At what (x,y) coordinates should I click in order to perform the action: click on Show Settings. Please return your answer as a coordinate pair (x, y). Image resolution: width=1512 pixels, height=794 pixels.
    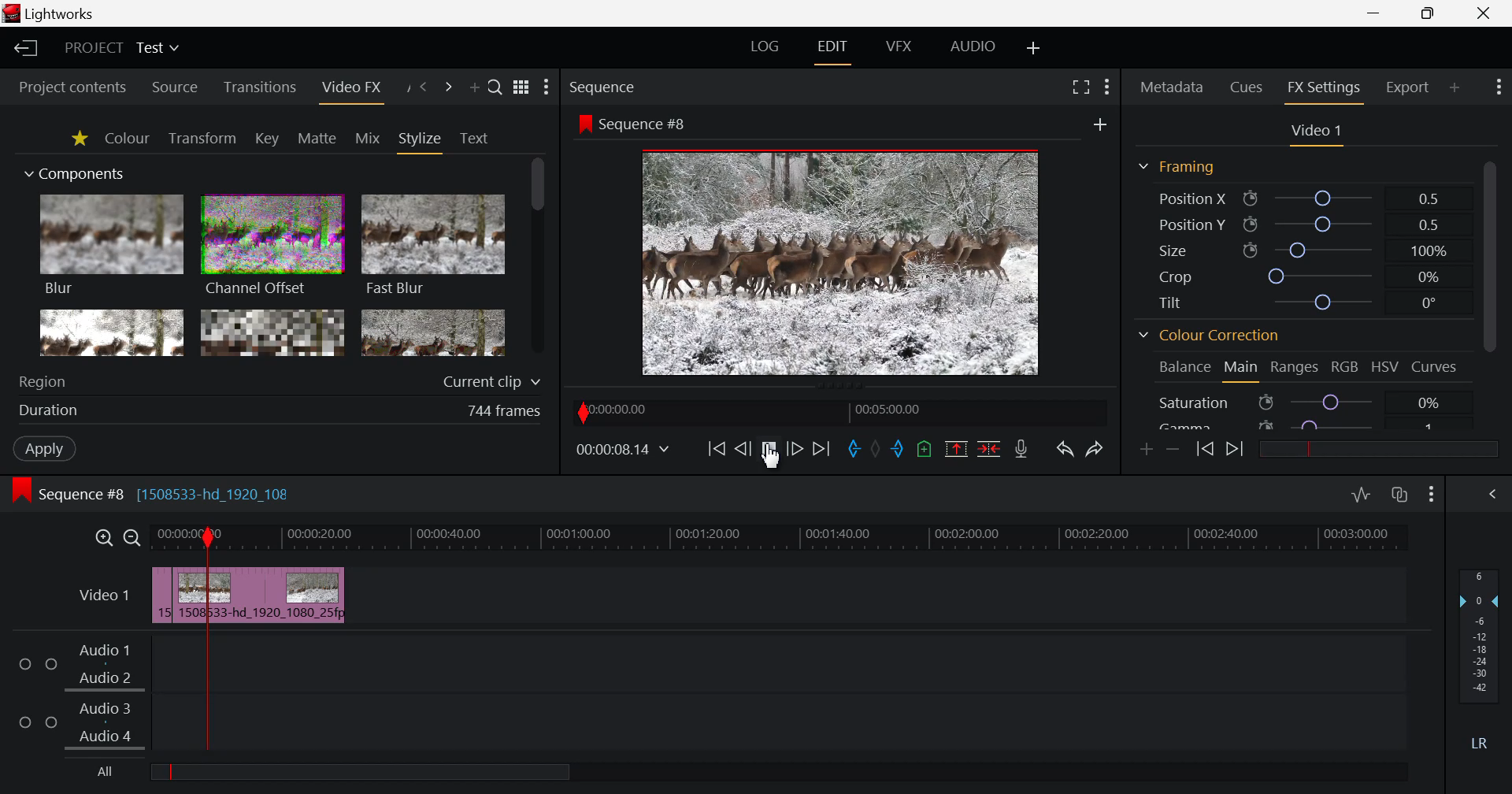
    Looking at the image, I should click on (1497, 89).